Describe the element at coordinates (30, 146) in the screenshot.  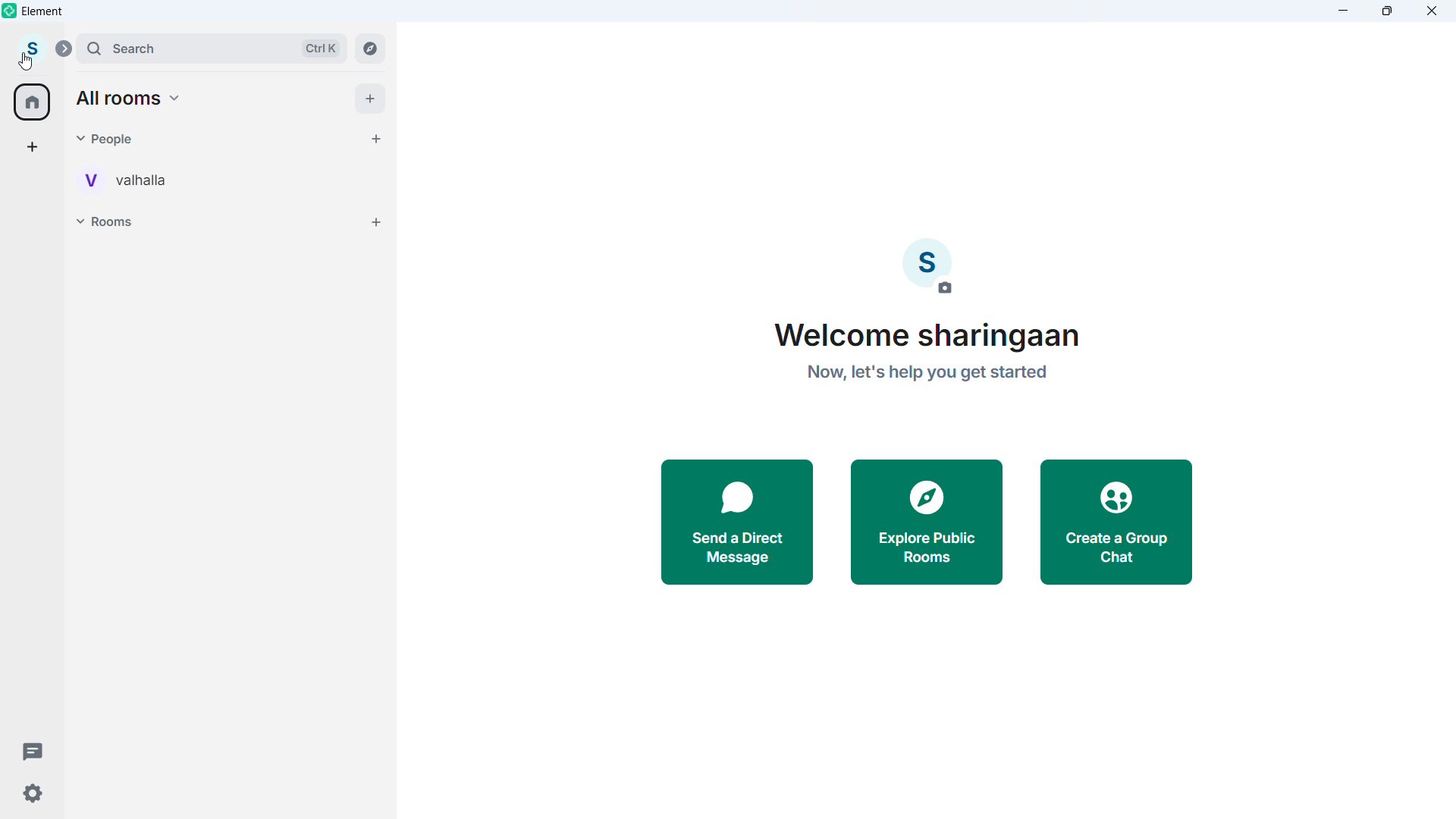
I see `Add space ` at that location.